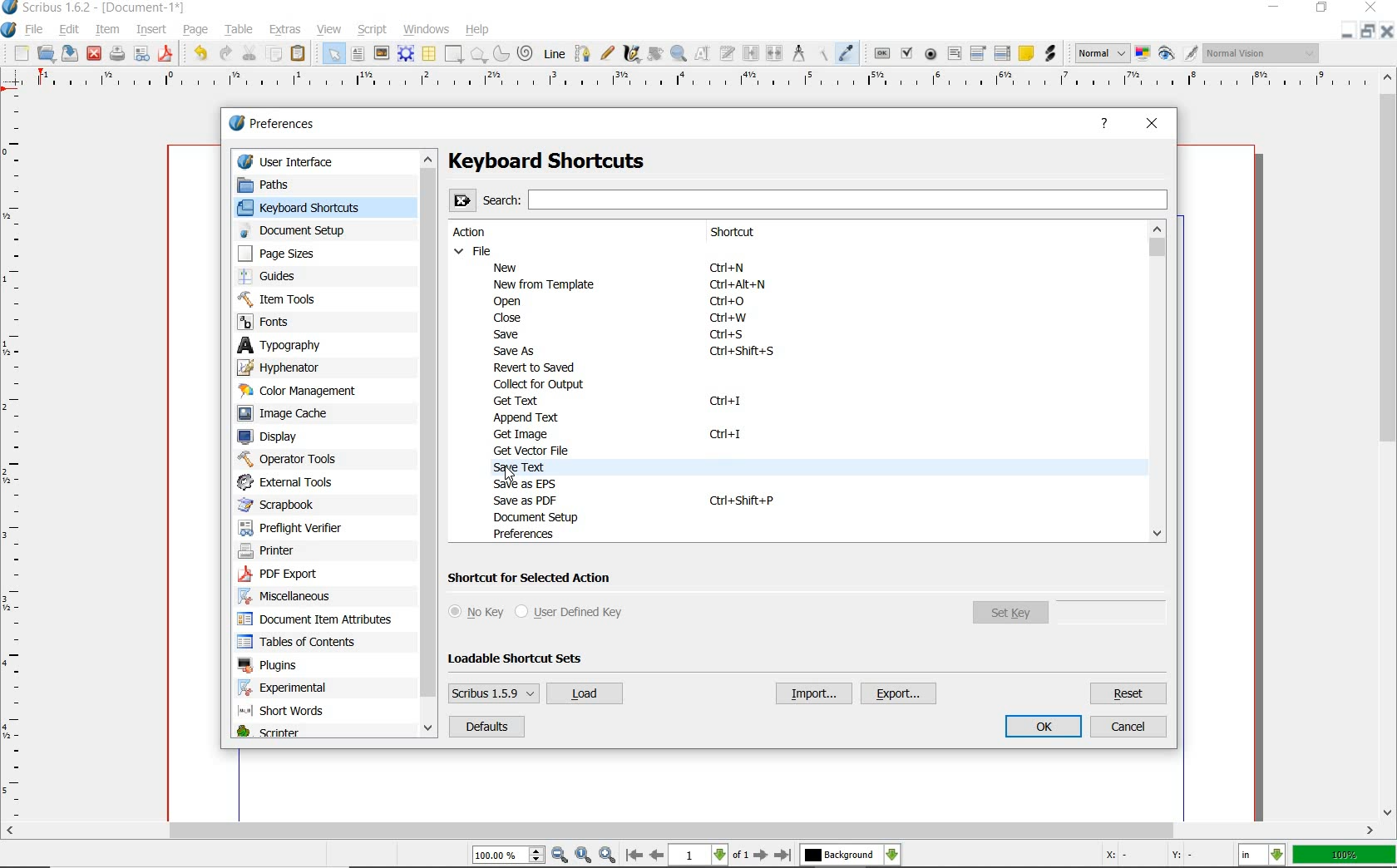  I want to click on mouse pointer, so click(508, 476).